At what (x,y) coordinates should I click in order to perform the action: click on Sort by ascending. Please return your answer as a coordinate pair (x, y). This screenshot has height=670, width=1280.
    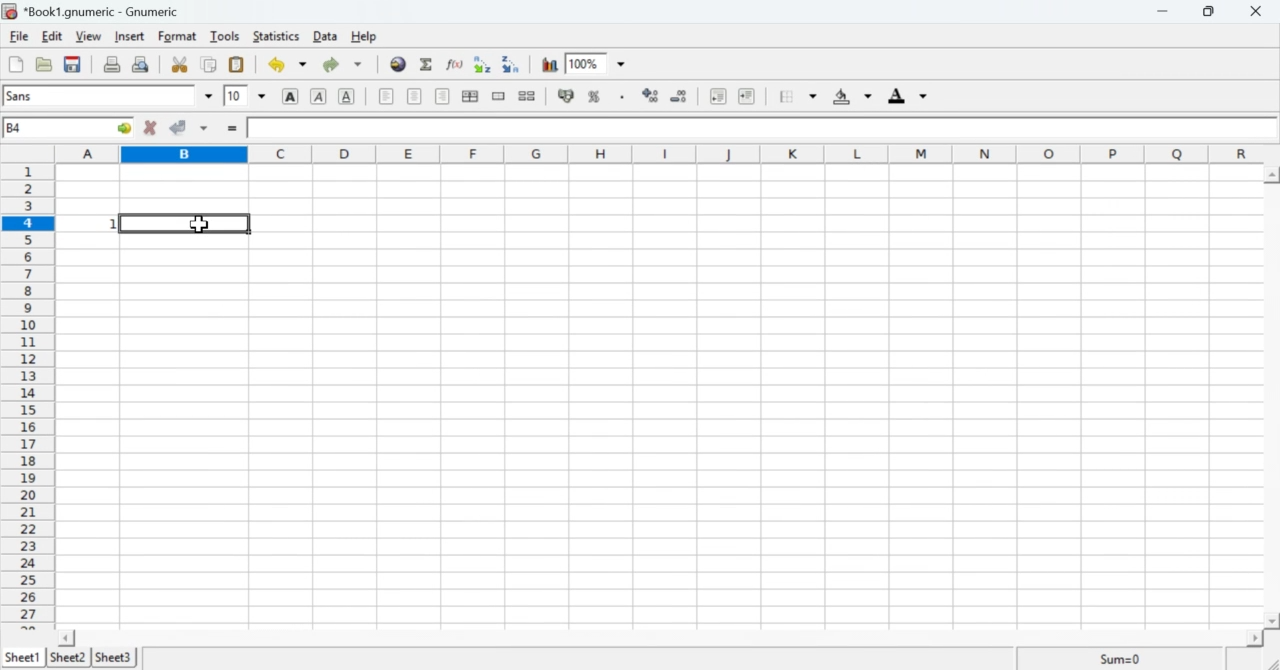
    Looking at the image, I should click on (648, 97).